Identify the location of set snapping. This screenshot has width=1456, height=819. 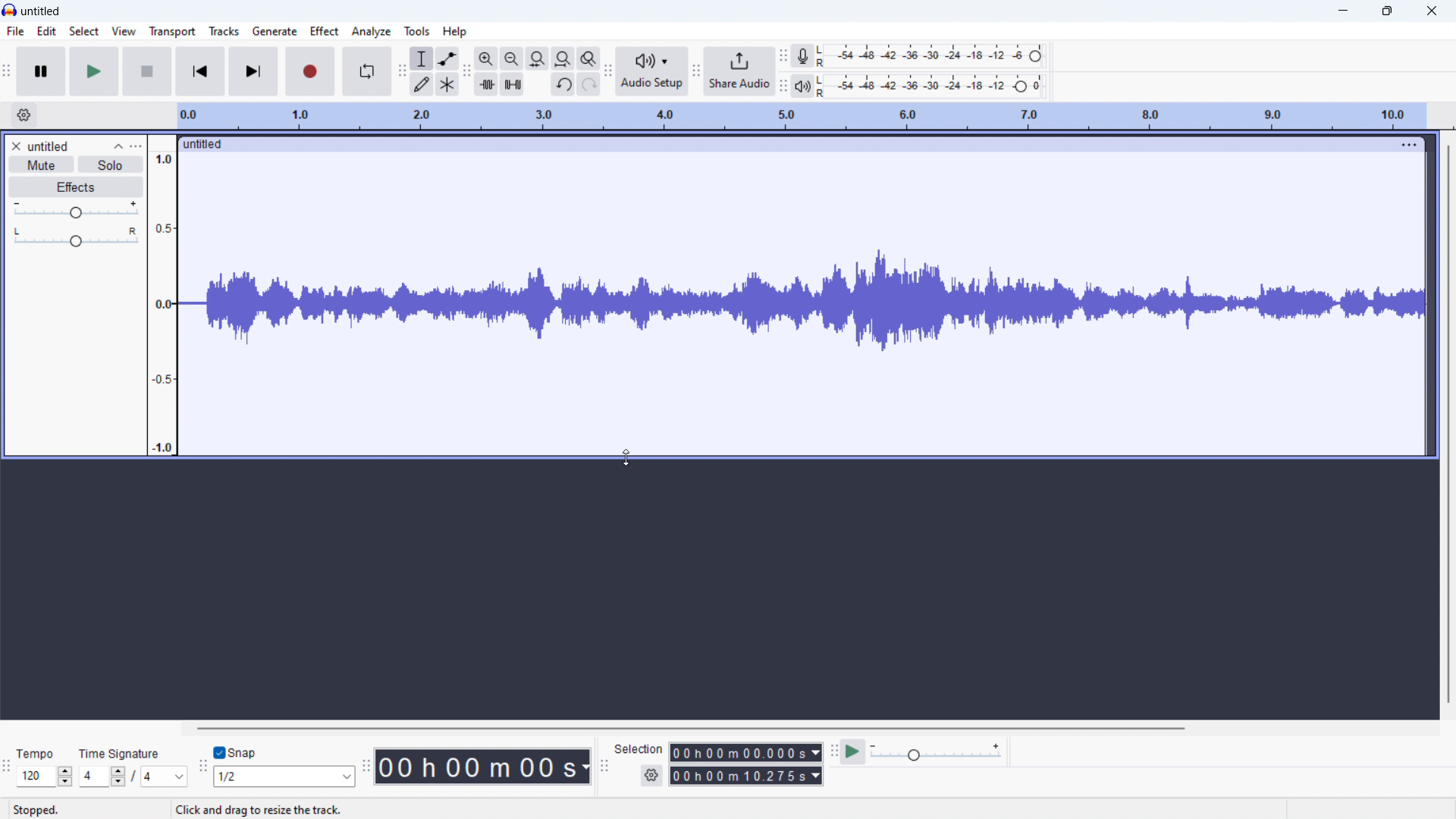
(285, 777).